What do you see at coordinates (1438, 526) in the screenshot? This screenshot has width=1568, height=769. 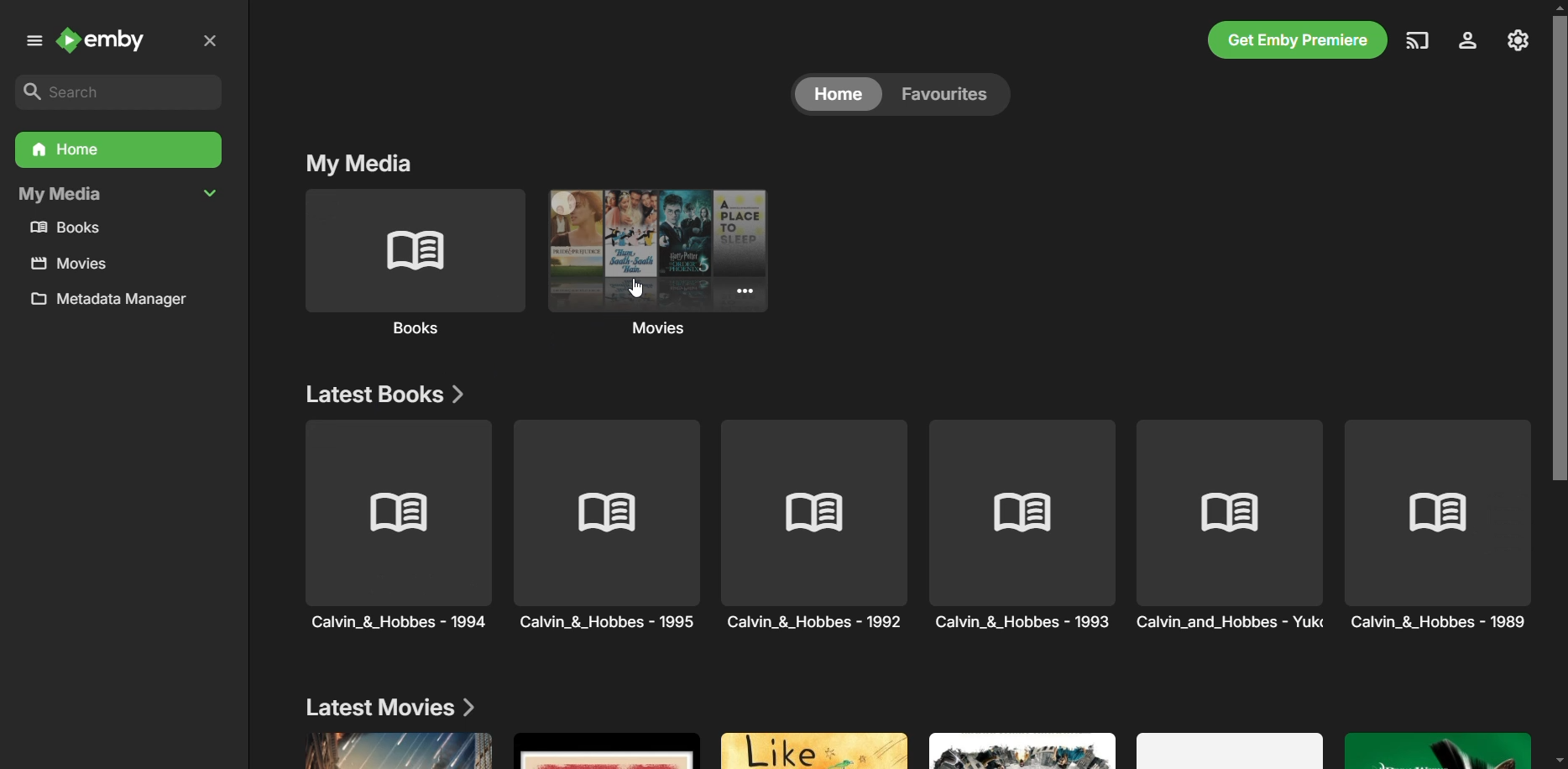 I see `` at bounding box center [1438, 526].